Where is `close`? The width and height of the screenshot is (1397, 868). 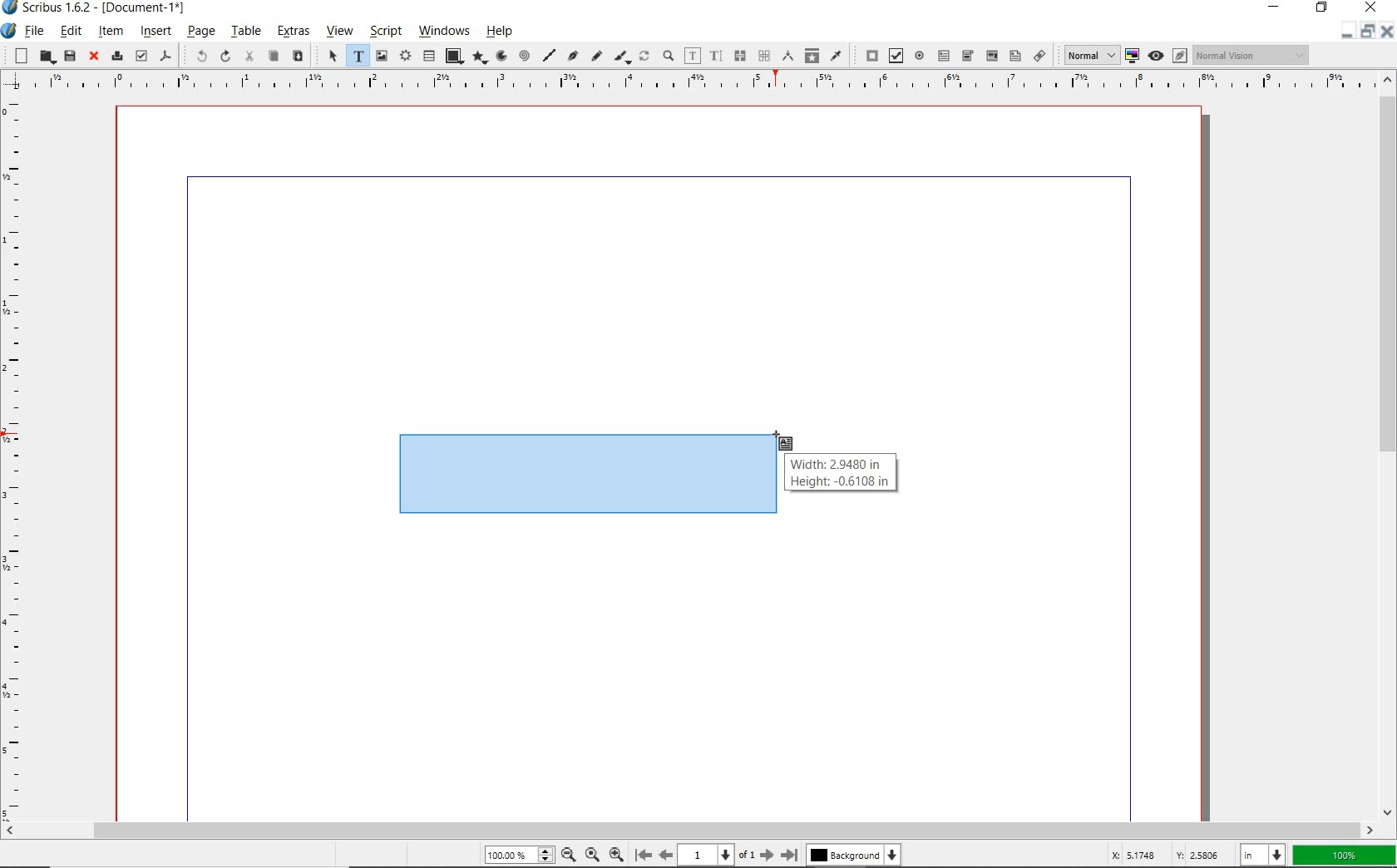
close is located at coordinates (91, 57).